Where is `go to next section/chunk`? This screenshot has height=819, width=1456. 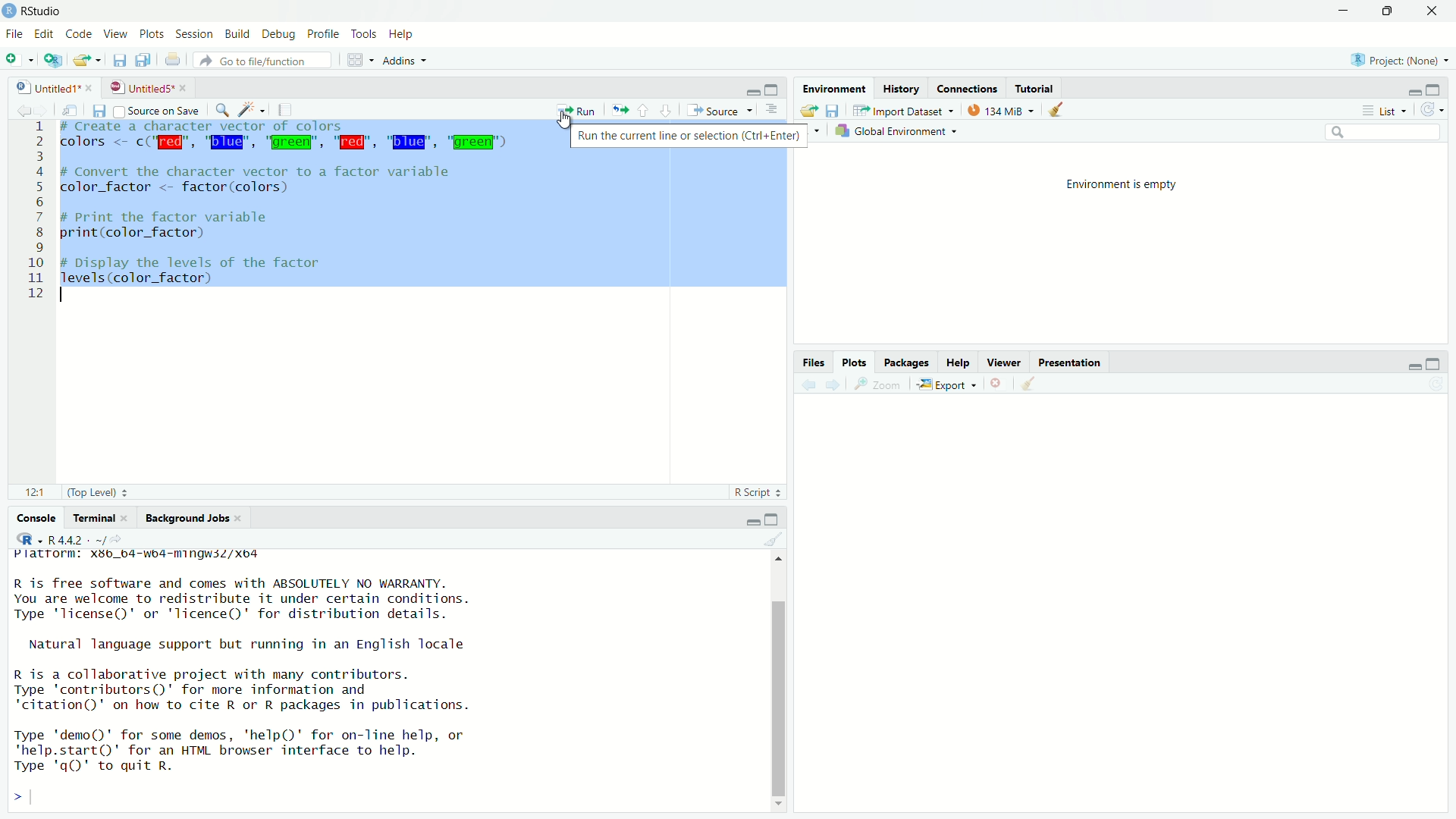 go to next section/chunk is located at coordinates (667, 111).